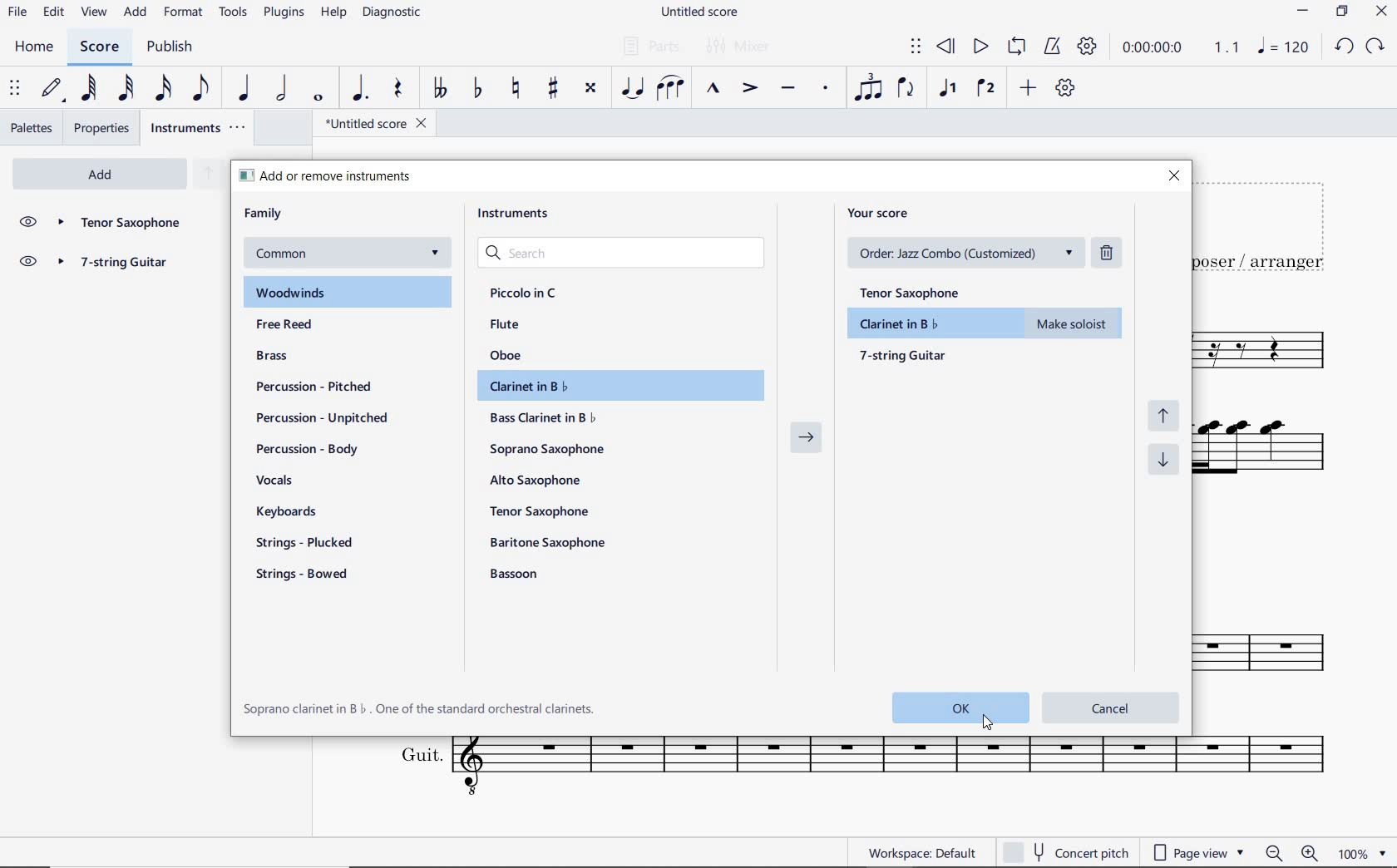 This screenshot has height=868, width=1397. Describe the element at coordinates (284, 13) in the screenshot. I see `PLUGINS` at that location.